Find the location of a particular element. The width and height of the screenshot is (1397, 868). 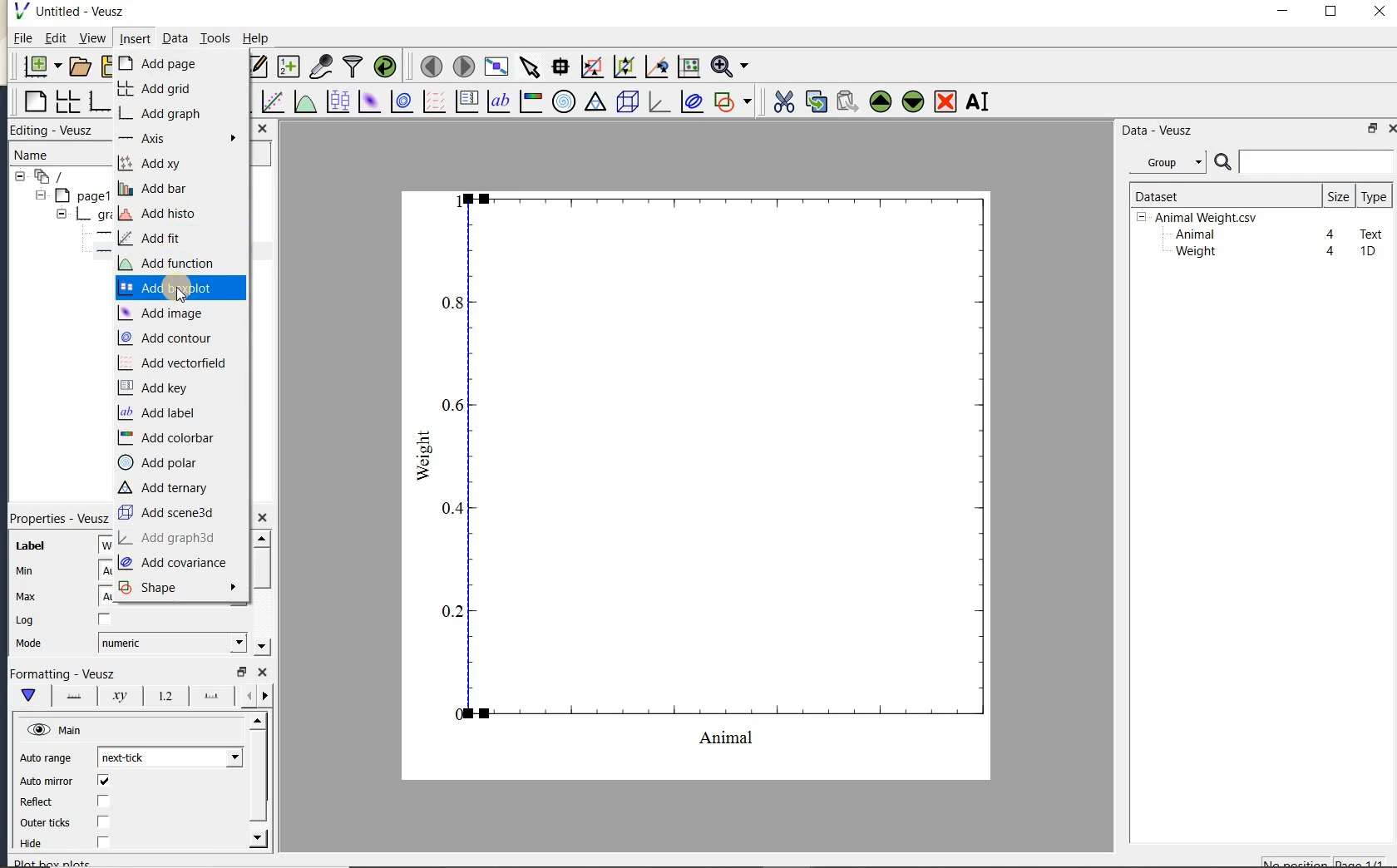

remove the selected widget is located at coordinates (944, 103).